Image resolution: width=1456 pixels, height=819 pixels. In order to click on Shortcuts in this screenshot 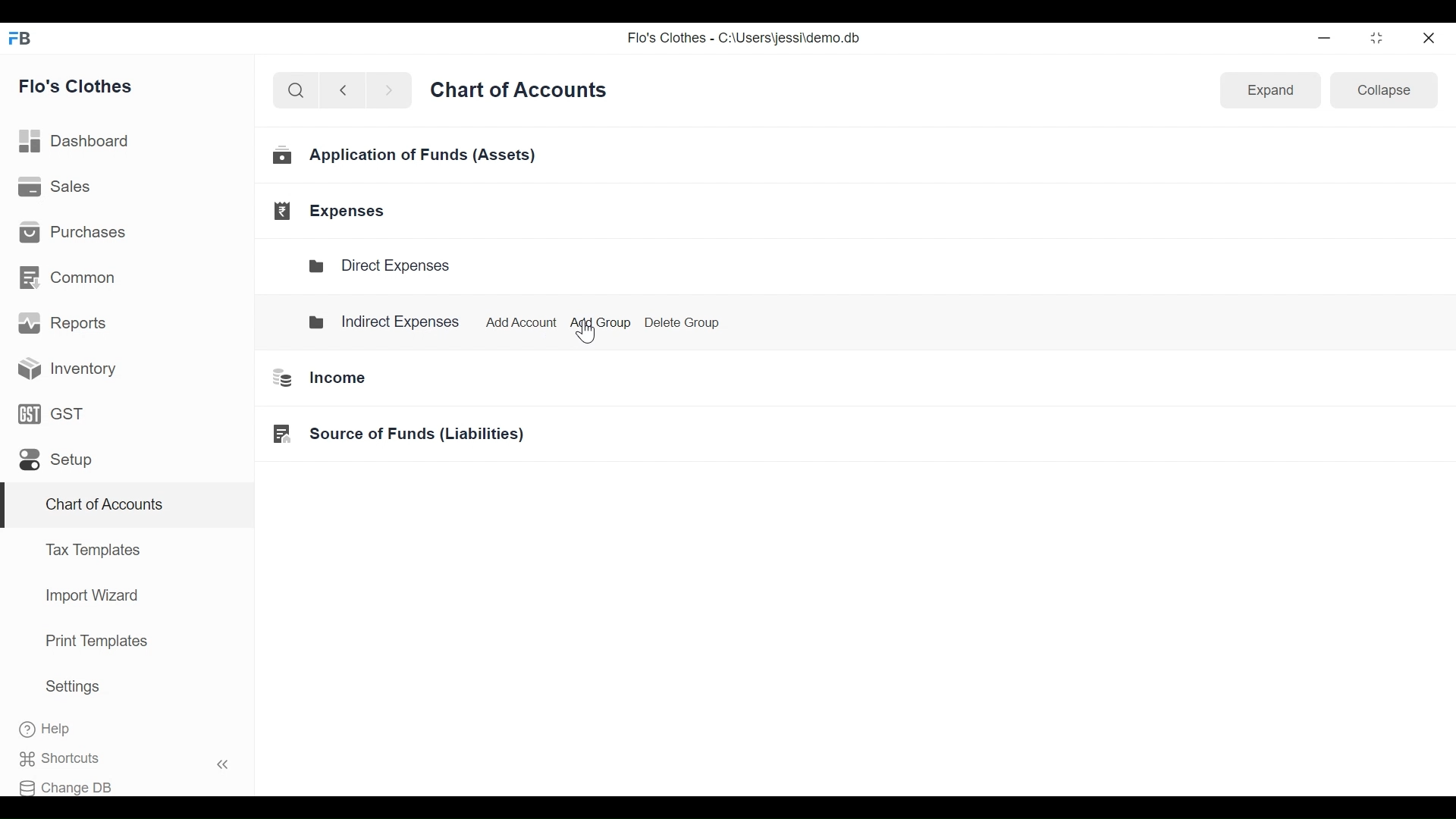, I will do `click(133, 758)`.